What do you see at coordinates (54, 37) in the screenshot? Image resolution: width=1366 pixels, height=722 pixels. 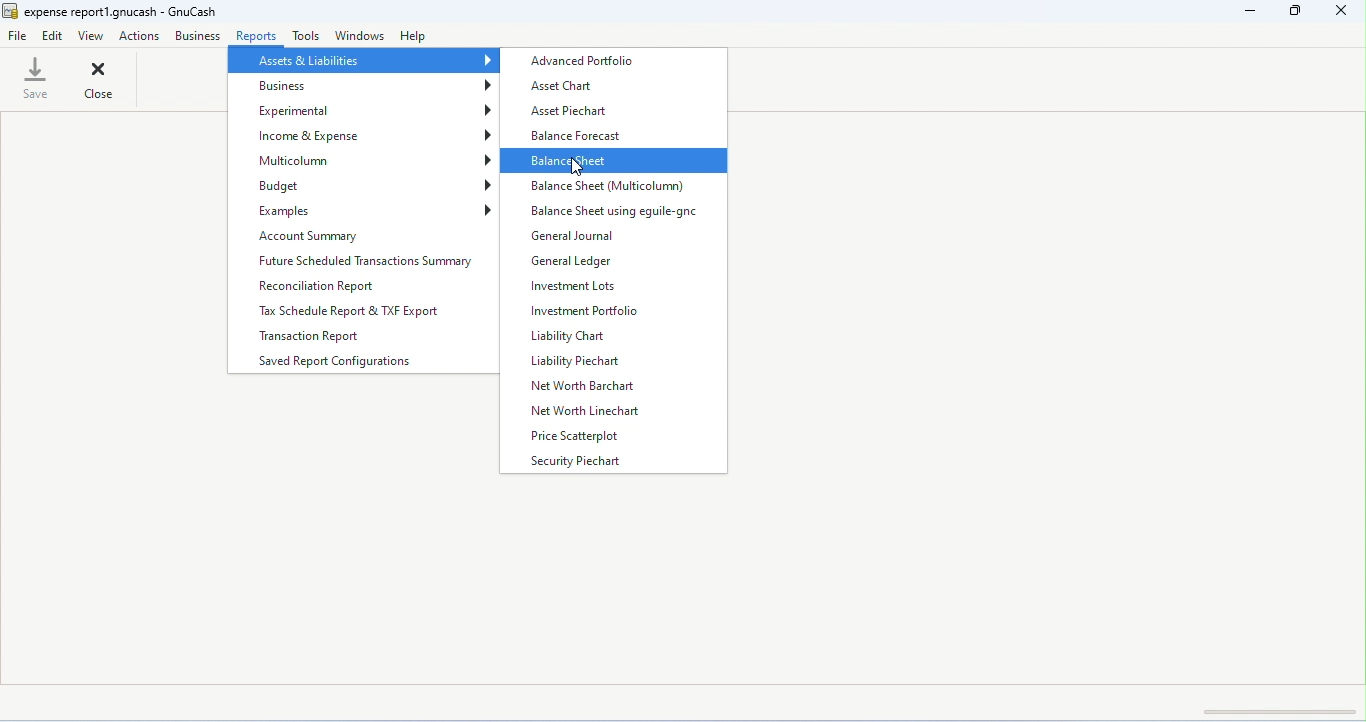 I see `edit` at bounding box center [54, 37].